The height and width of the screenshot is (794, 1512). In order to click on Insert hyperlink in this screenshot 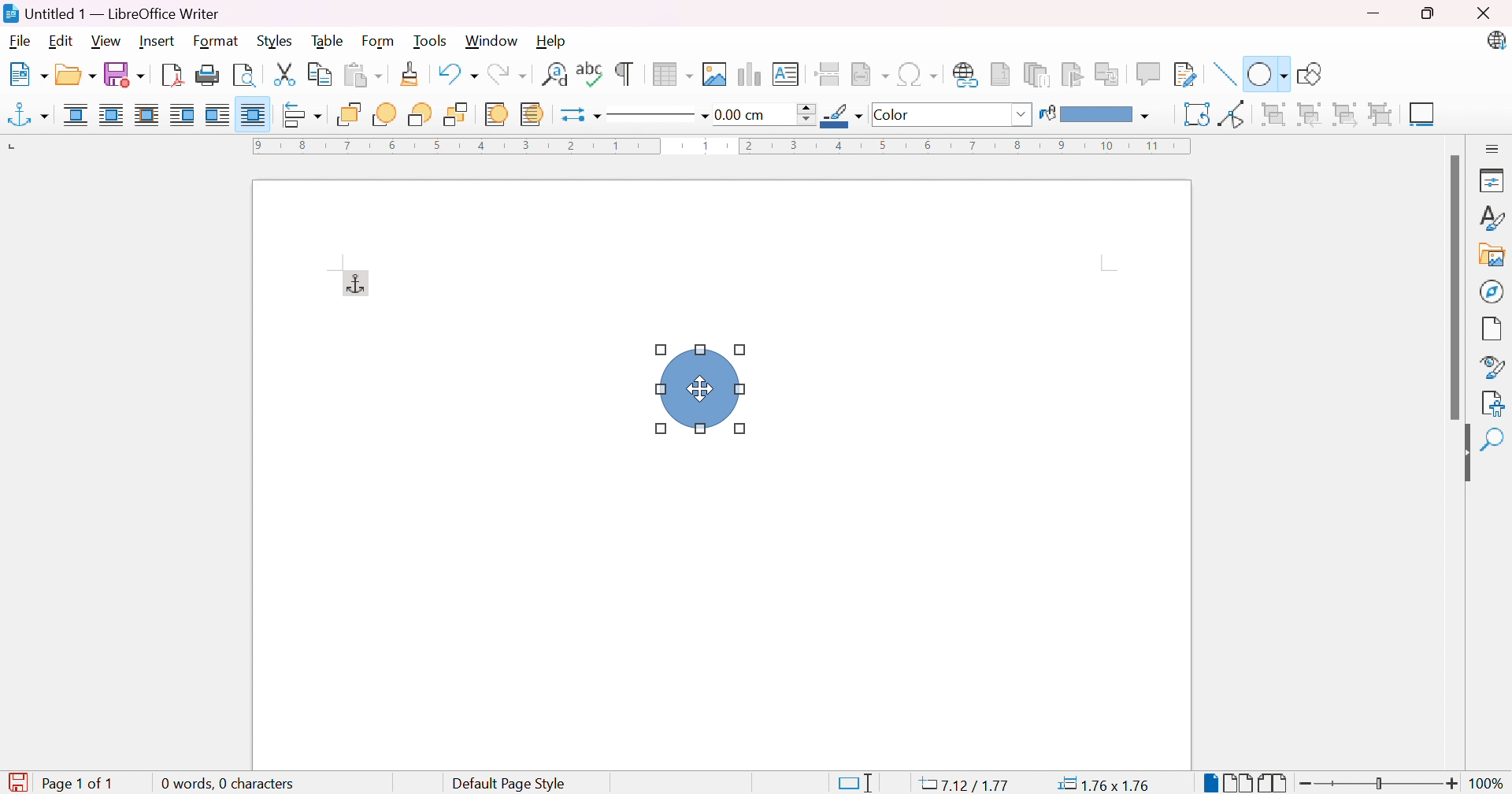, I will do `click(966, 74)`.